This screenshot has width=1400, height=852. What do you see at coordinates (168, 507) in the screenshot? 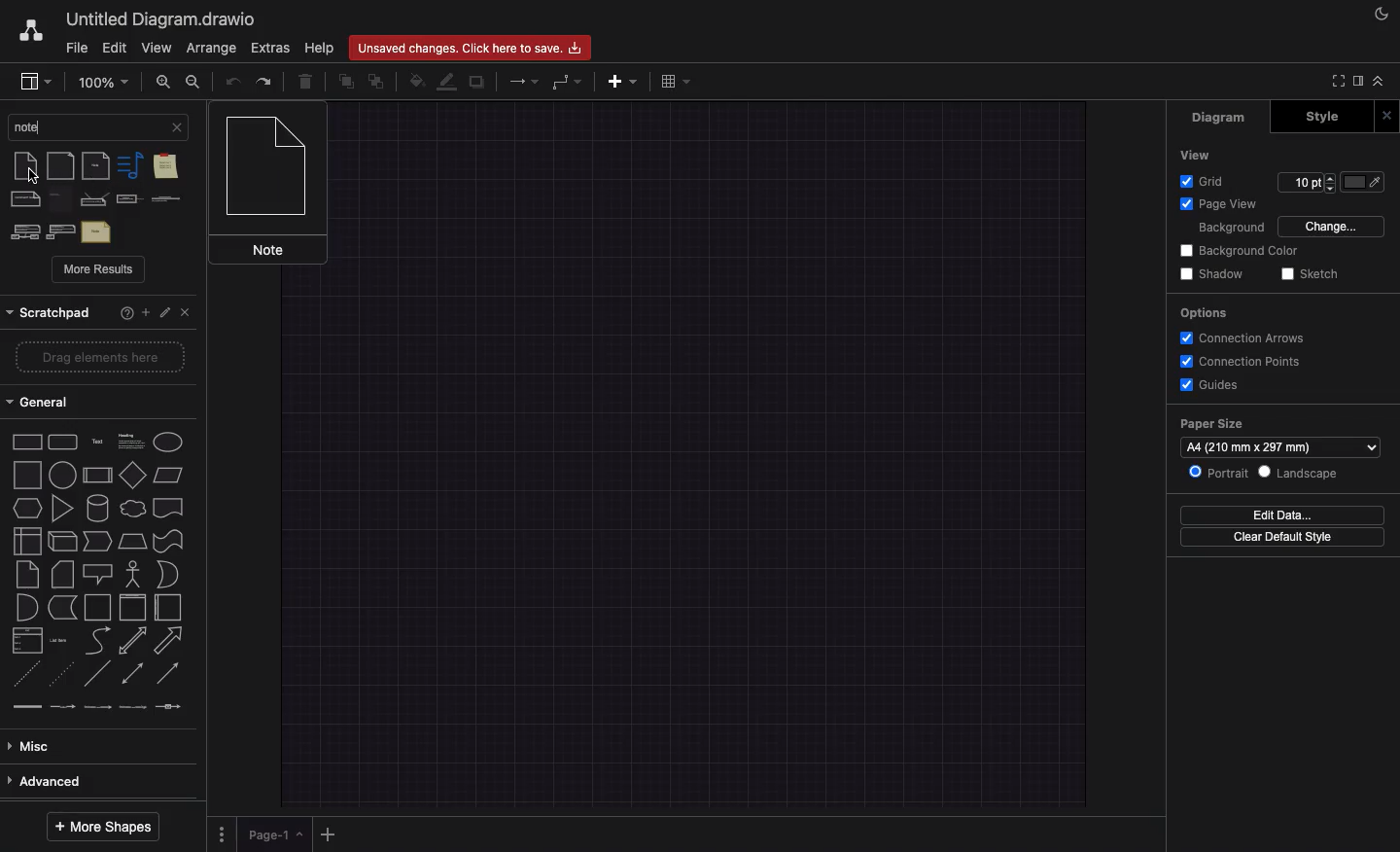
I see `document` at bounding box center [168, 507].